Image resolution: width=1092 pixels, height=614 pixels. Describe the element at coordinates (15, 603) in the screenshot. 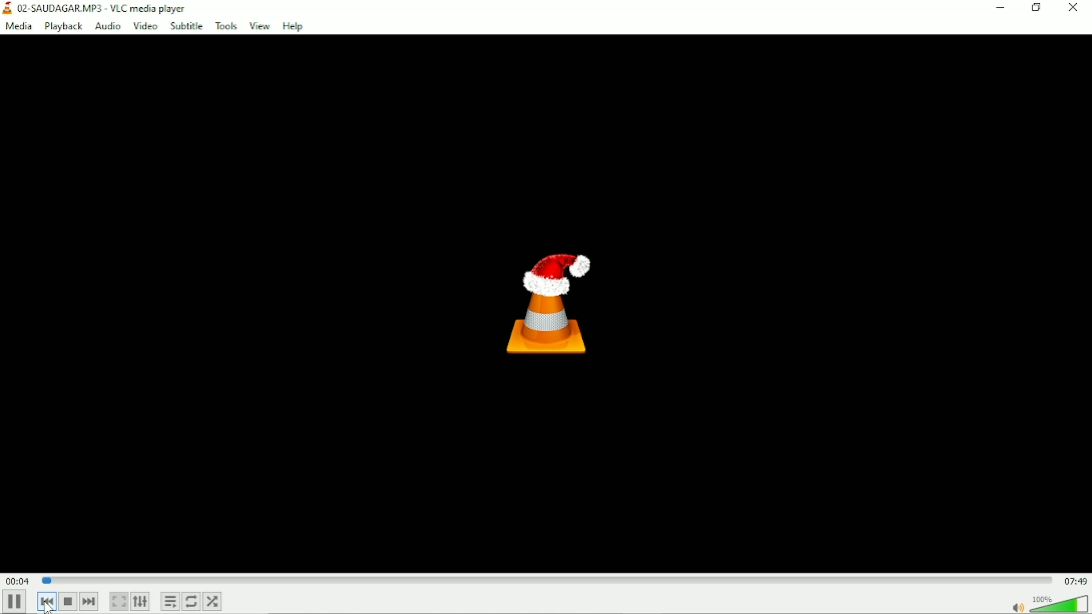

I see `Pause` at that location.